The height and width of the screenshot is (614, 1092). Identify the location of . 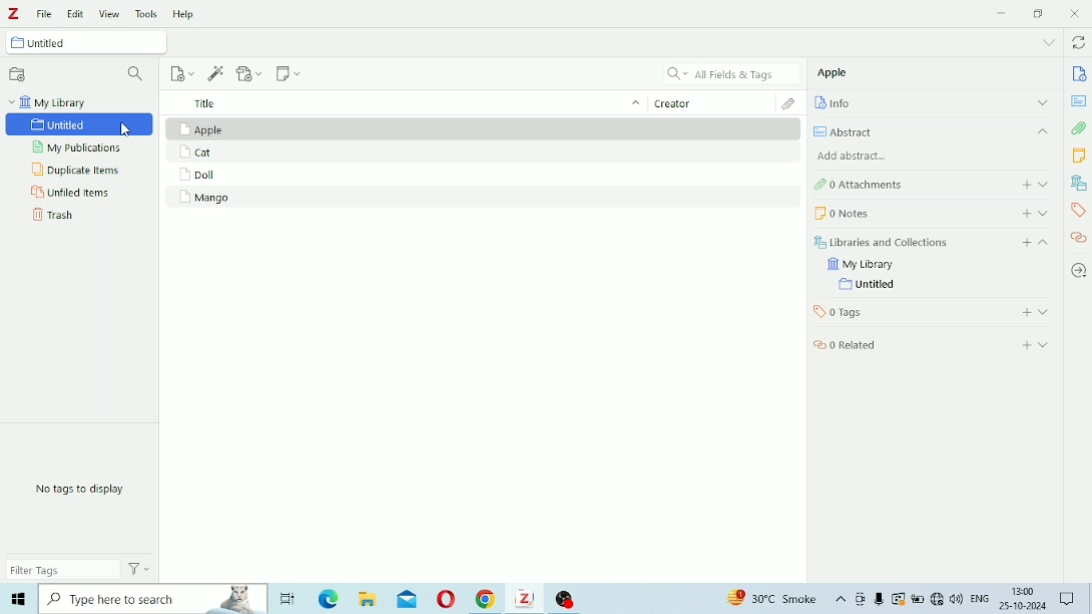
(525, 601).